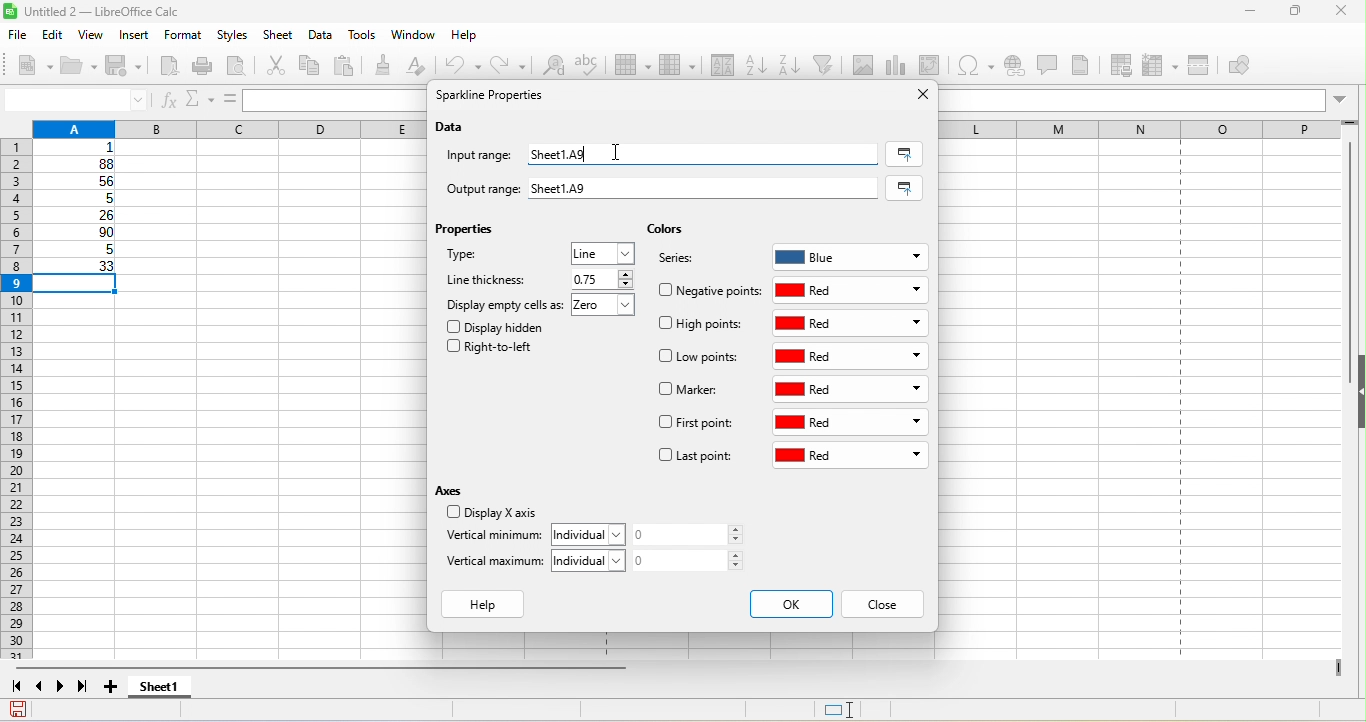  I want to click on selected cell, so click(81, 285).